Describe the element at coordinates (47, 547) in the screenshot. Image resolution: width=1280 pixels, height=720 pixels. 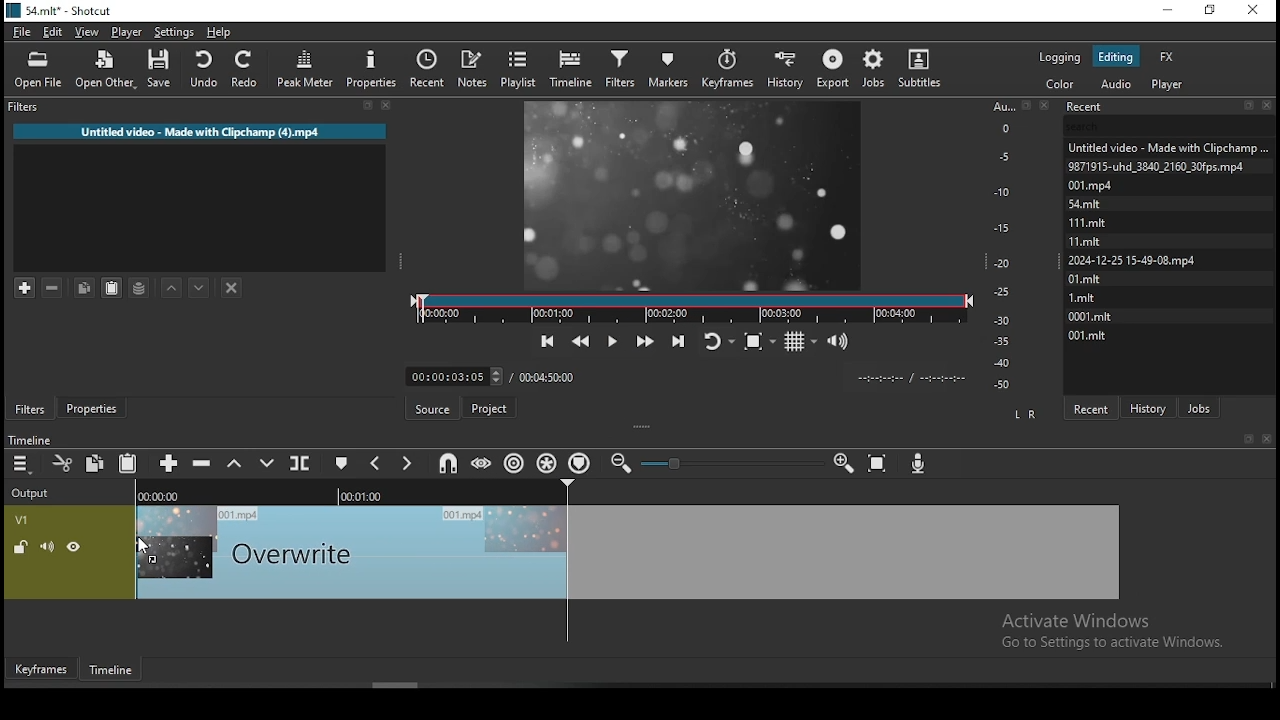
I see `(un)mute` at that location.